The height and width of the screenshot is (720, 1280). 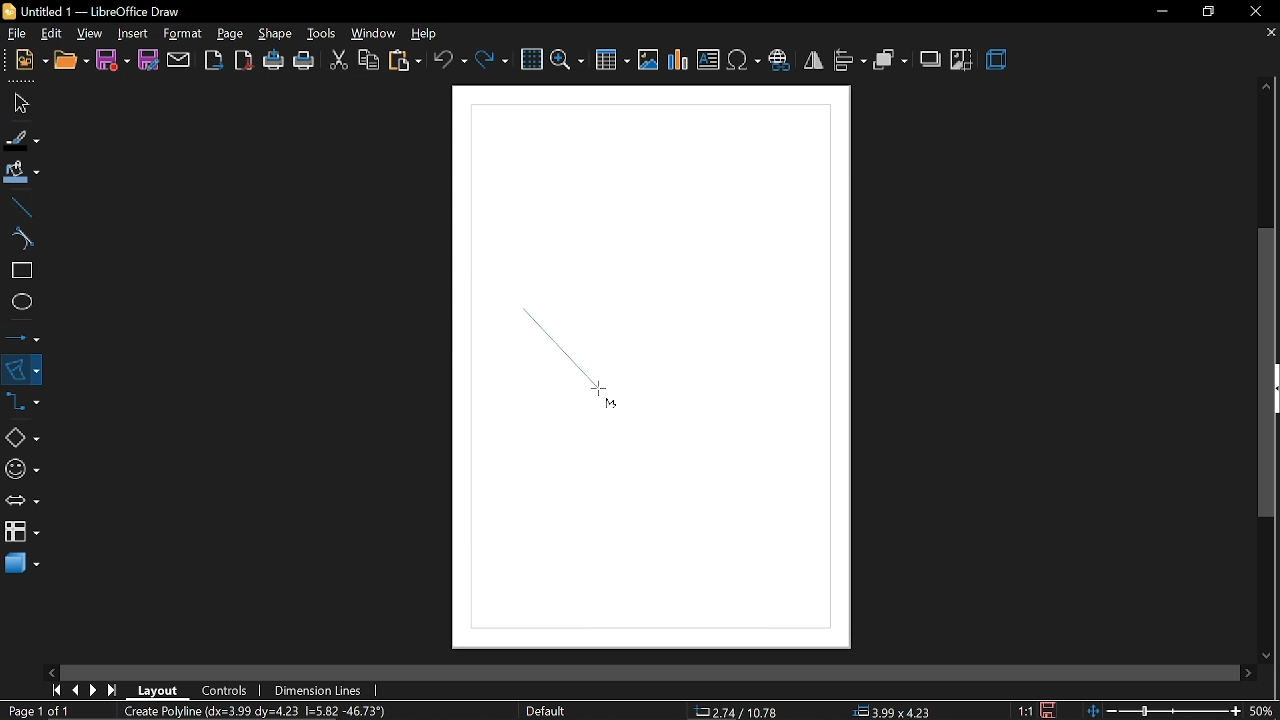 What do you see at coordinates (21, 532) in the screenshot?
I see `flowchart` at bounding box center [21, 532].